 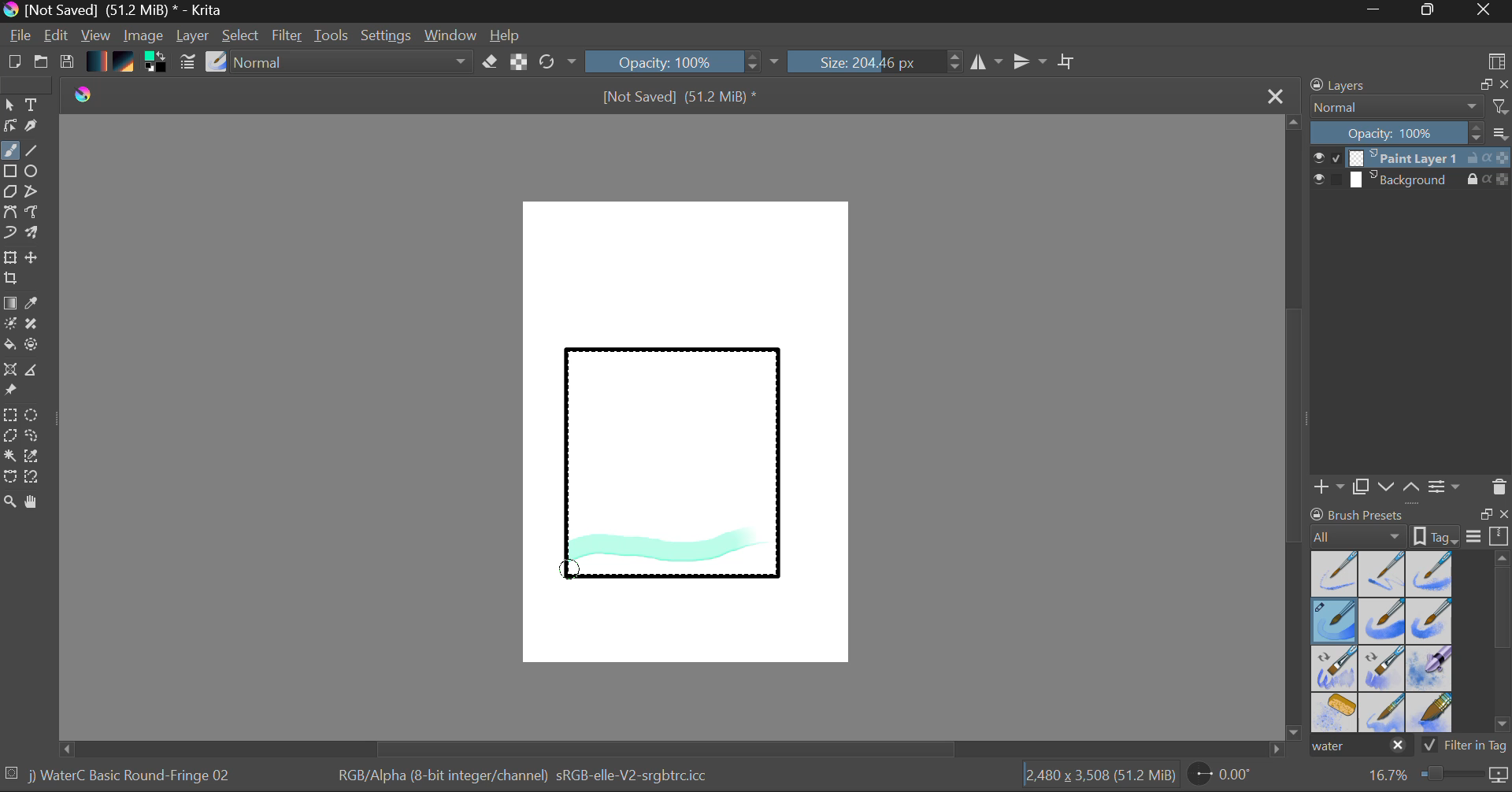 I want to click on Select Brush Preset, so click(x=217, y=62).